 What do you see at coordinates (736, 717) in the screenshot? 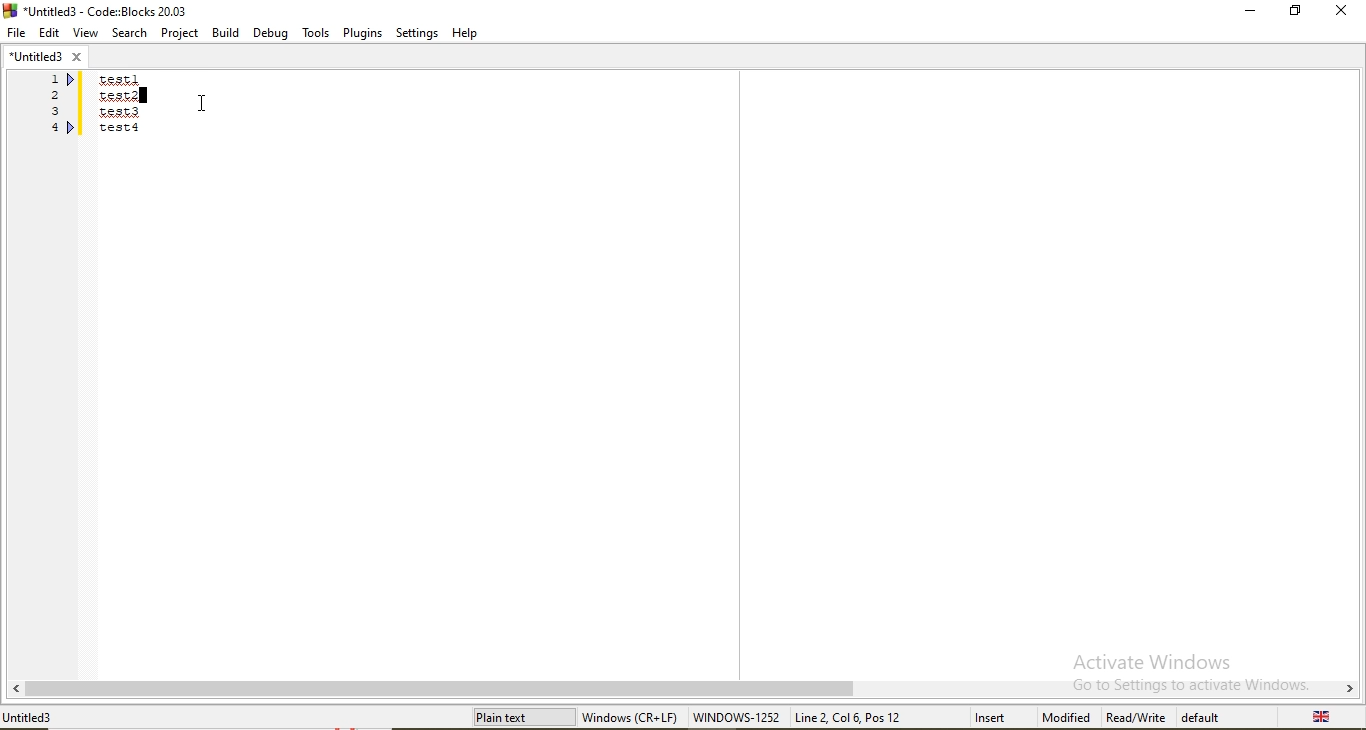
I see `WINDOWS-1252` at bounding box center [736, 717].